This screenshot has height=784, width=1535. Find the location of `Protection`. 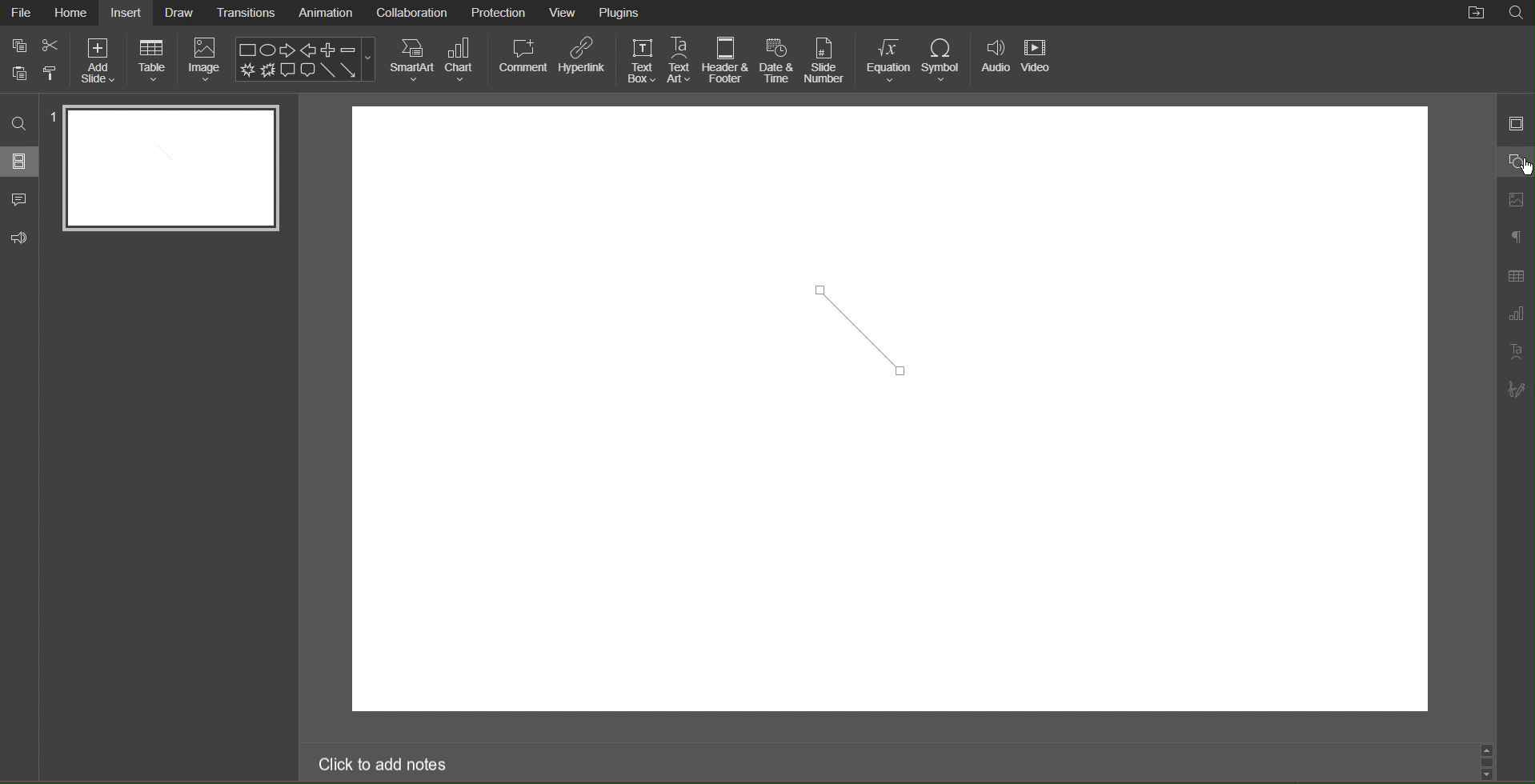

Protection is located at coordinates (499, 12).